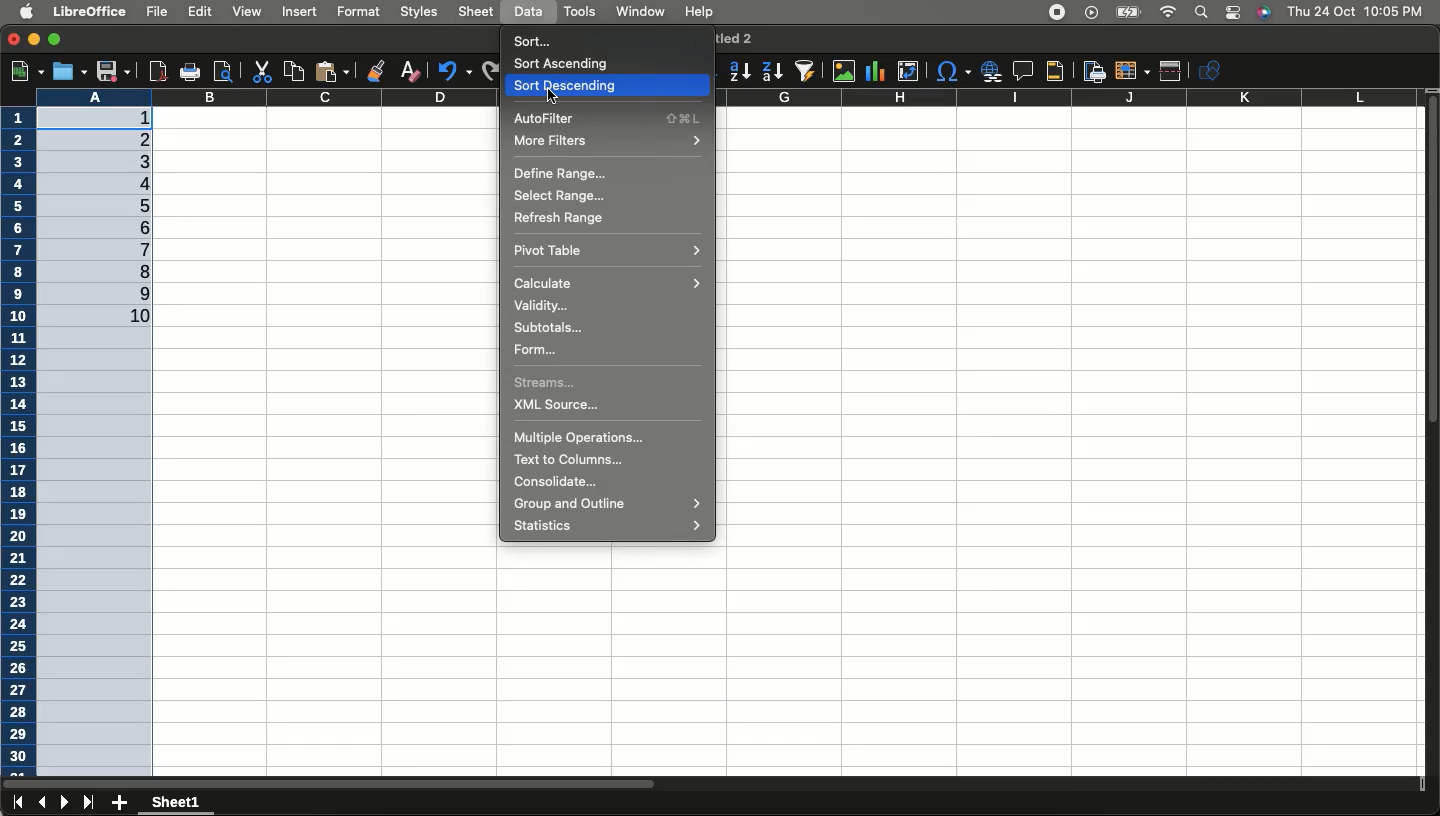  Describe the element at coordinates (734, 37) in the screenshot. I see `Untitled 2` at that location.